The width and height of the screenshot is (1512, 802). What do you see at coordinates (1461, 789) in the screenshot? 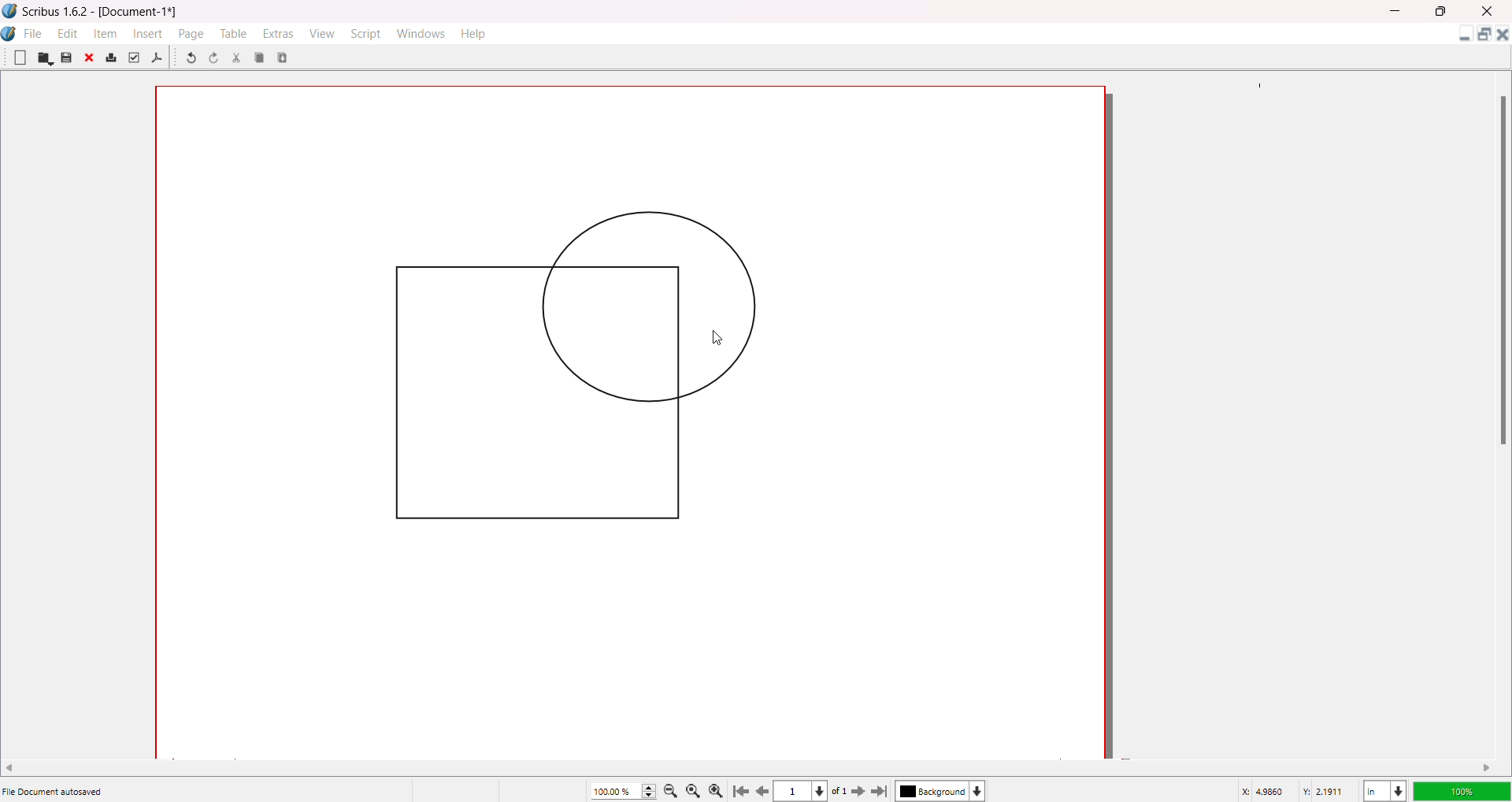
I see `Opacity` at bounding box center [1461, 789].